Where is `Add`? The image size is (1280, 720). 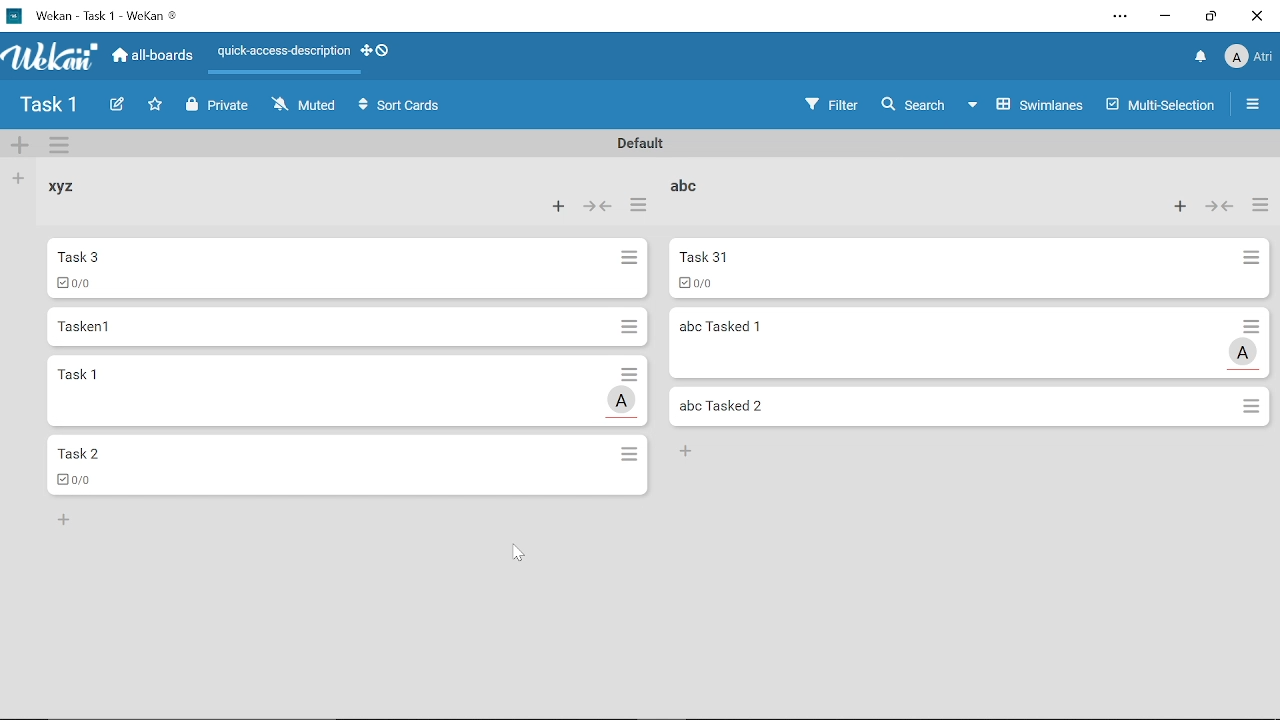
Add is located at coordinates (19, 142).